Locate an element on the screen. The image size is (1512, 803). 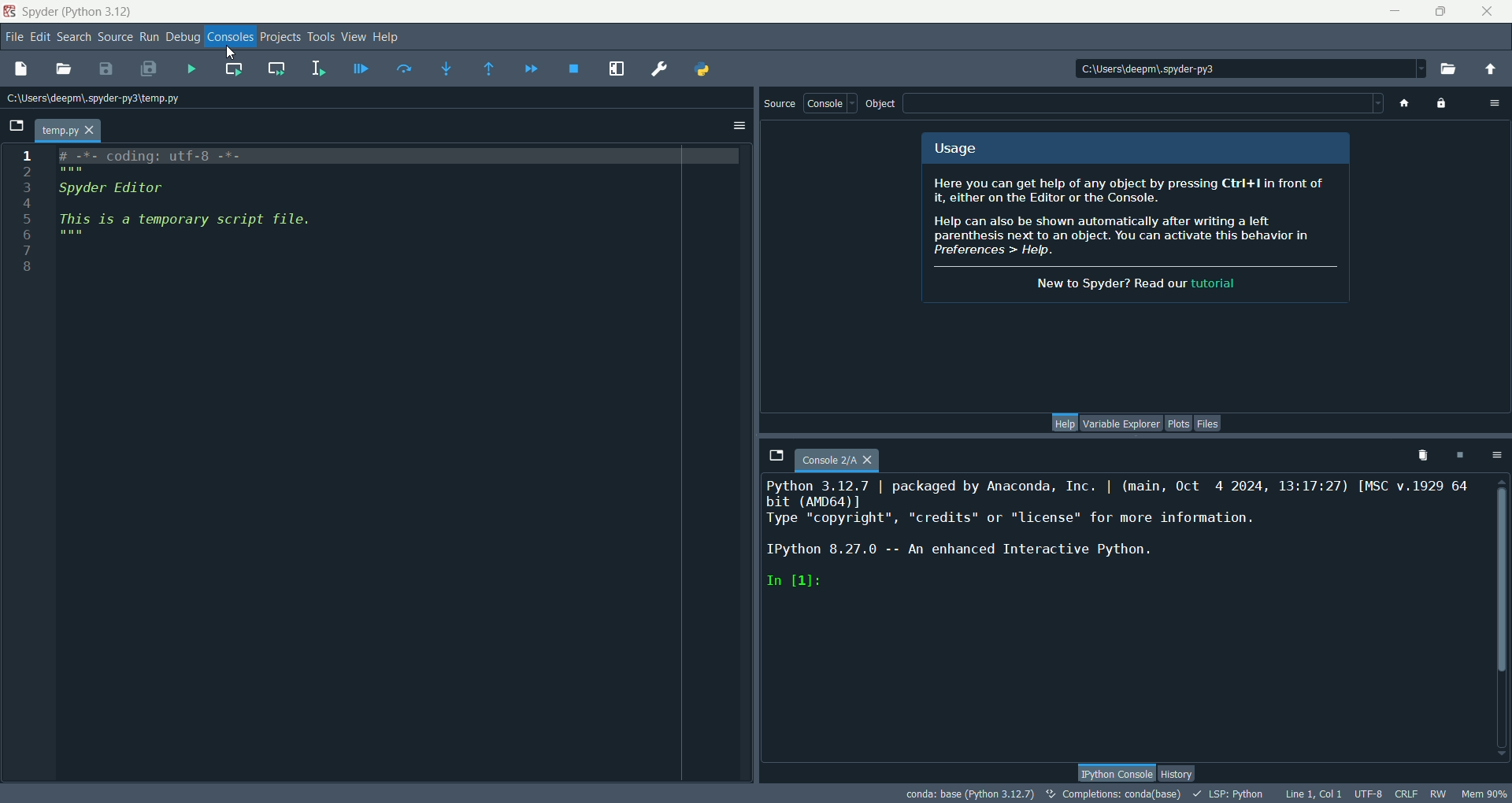
Mem is located at coordinates (1485, 794).